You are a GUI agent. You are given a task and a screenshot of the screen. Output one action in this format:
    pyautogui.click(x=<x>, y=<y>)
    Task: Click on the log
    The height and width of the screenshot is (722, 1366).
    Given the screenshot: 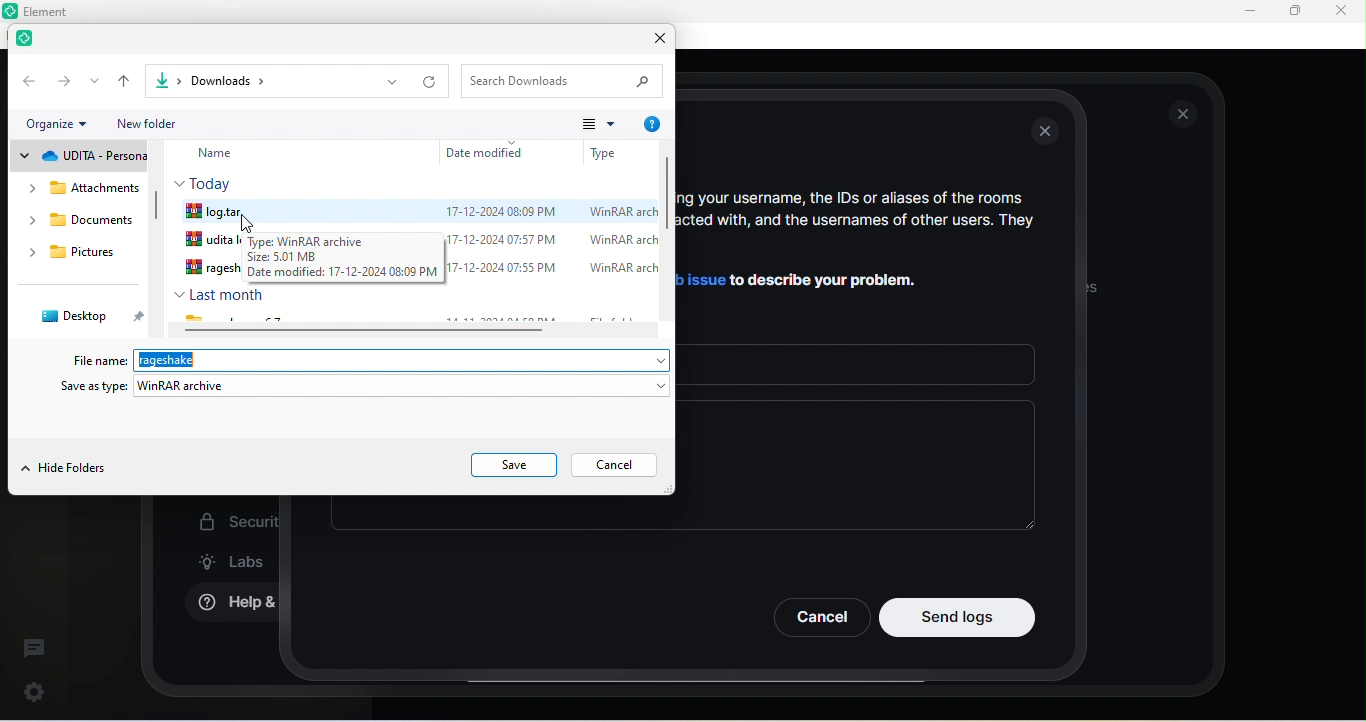 What is the action you would take?
    pyautogui.click(x=167, y=360)
    